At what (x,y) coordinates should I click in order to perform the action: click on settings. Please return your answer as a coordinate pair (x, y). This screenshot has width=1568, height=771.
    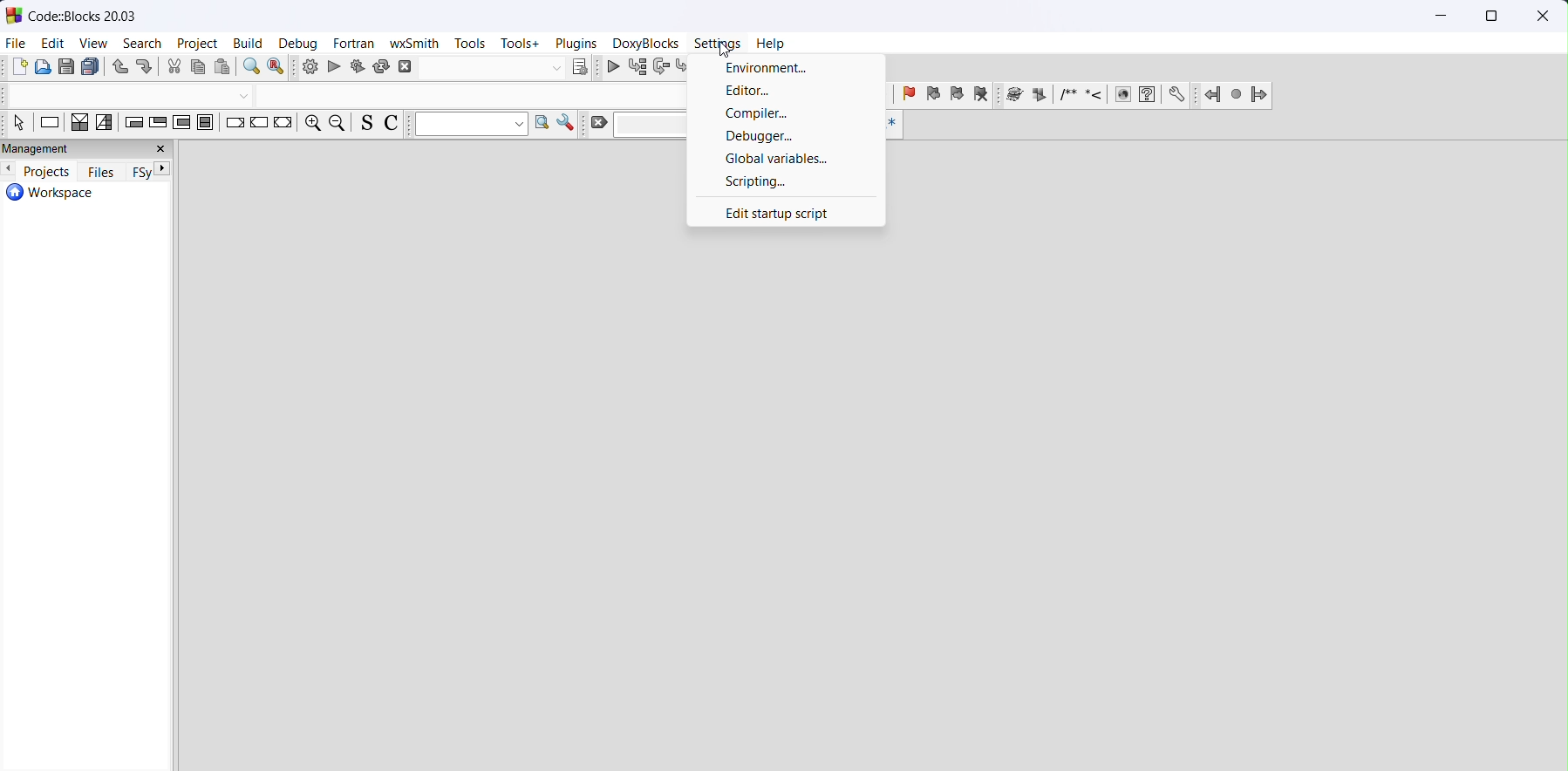
    Looking at the image, I should click on (719, 43).